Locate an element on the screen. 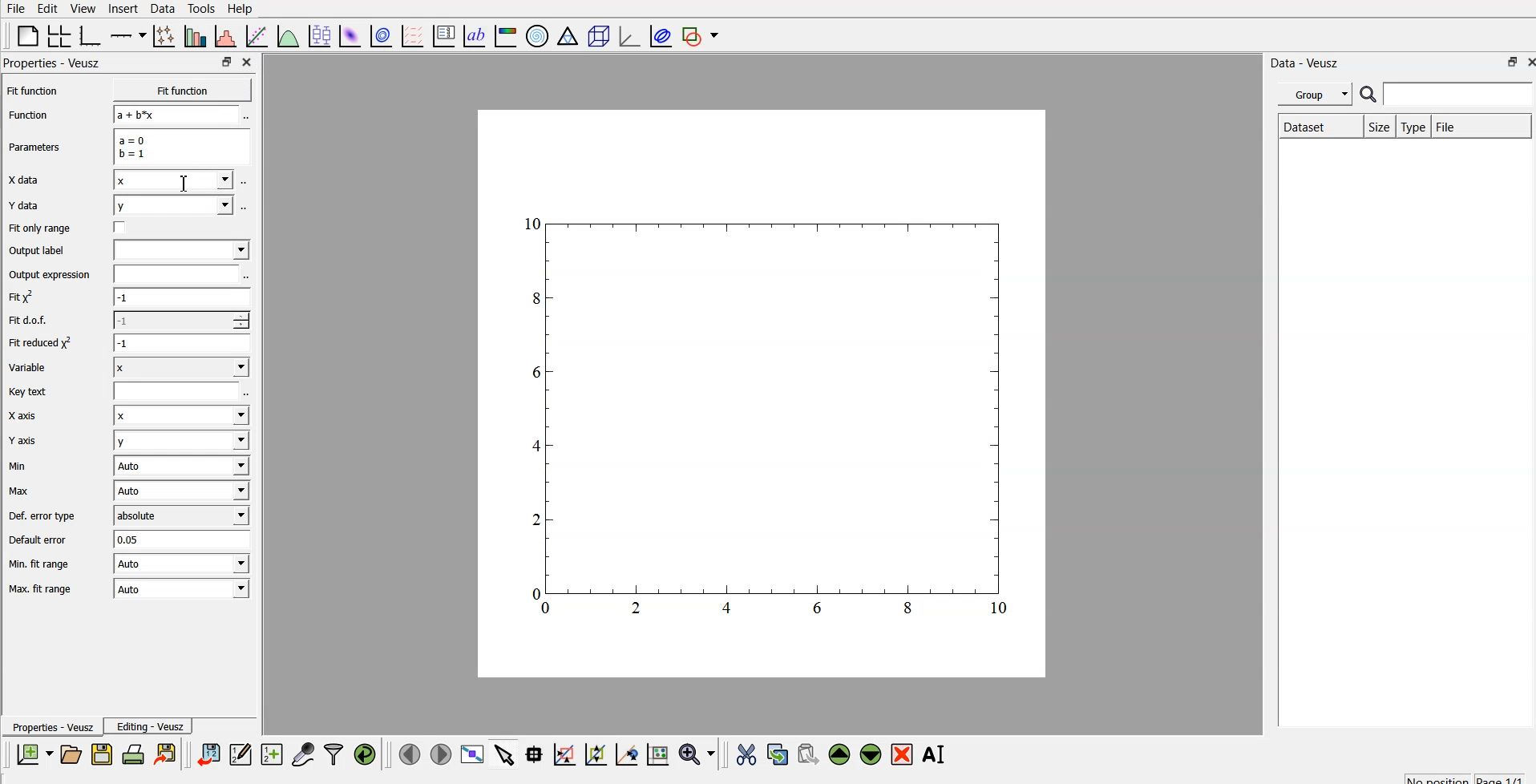 The width and height of the screenshot is (1536, 784). open a new document is located at coordinates (71, 757).